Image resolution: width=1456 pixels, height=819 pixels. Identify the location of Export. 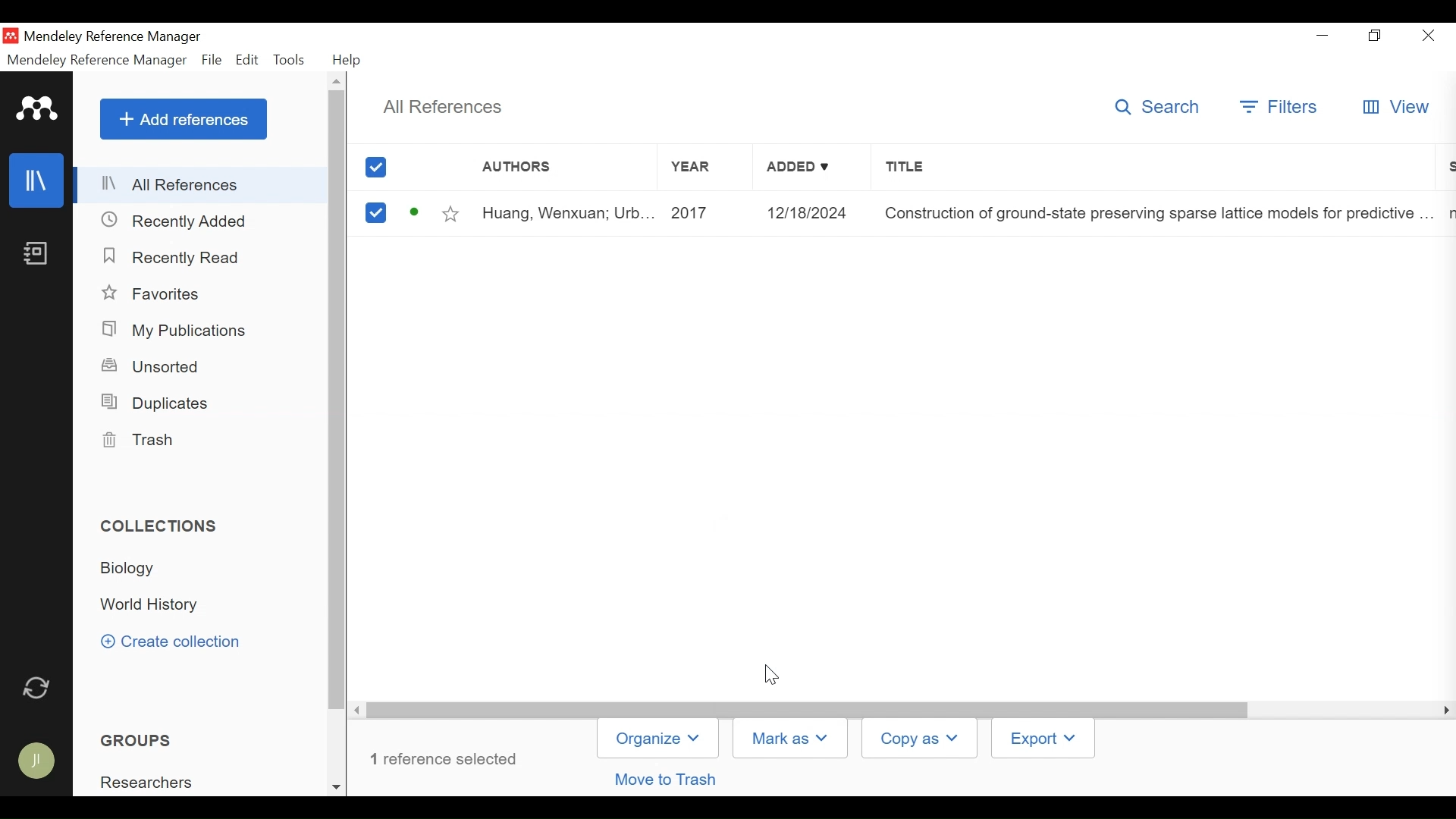
(1043, 739).